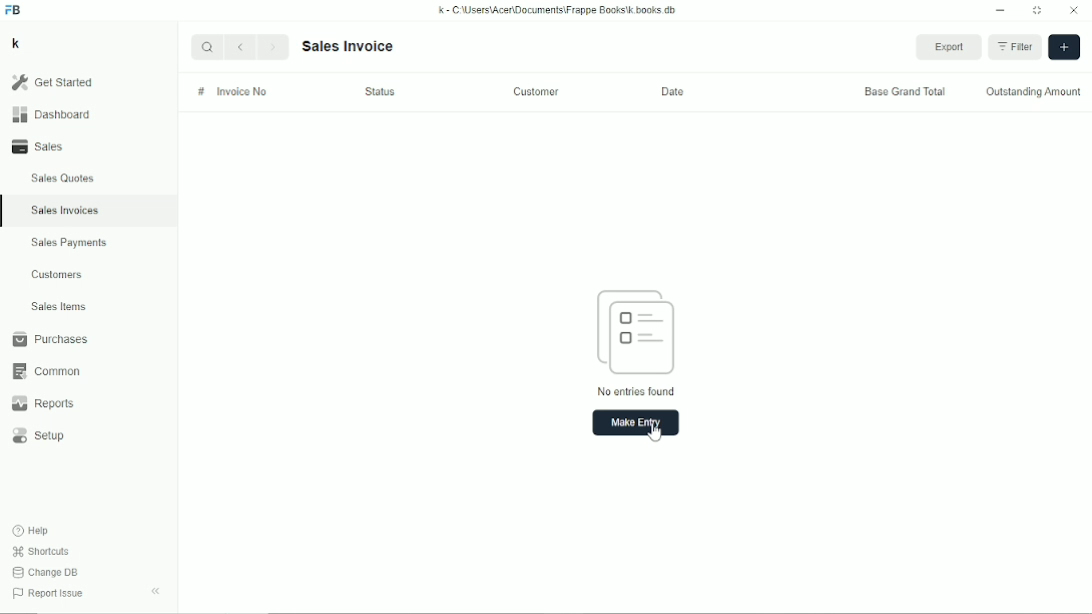  I want to click on Close, so click(1074, 11).